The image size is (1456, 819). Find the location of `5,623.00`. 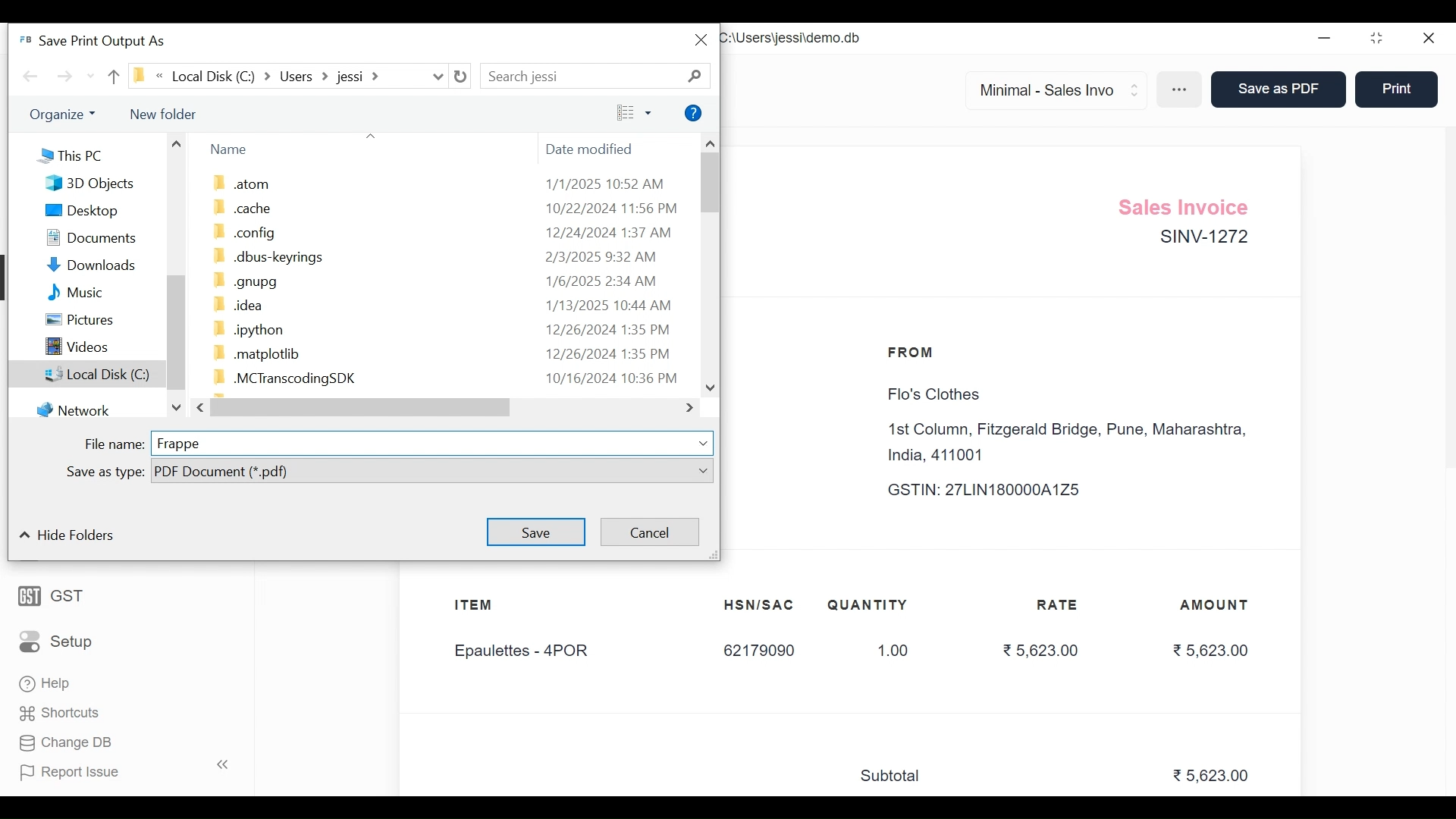

5,623.00 is located at coordinates (1213, 777).